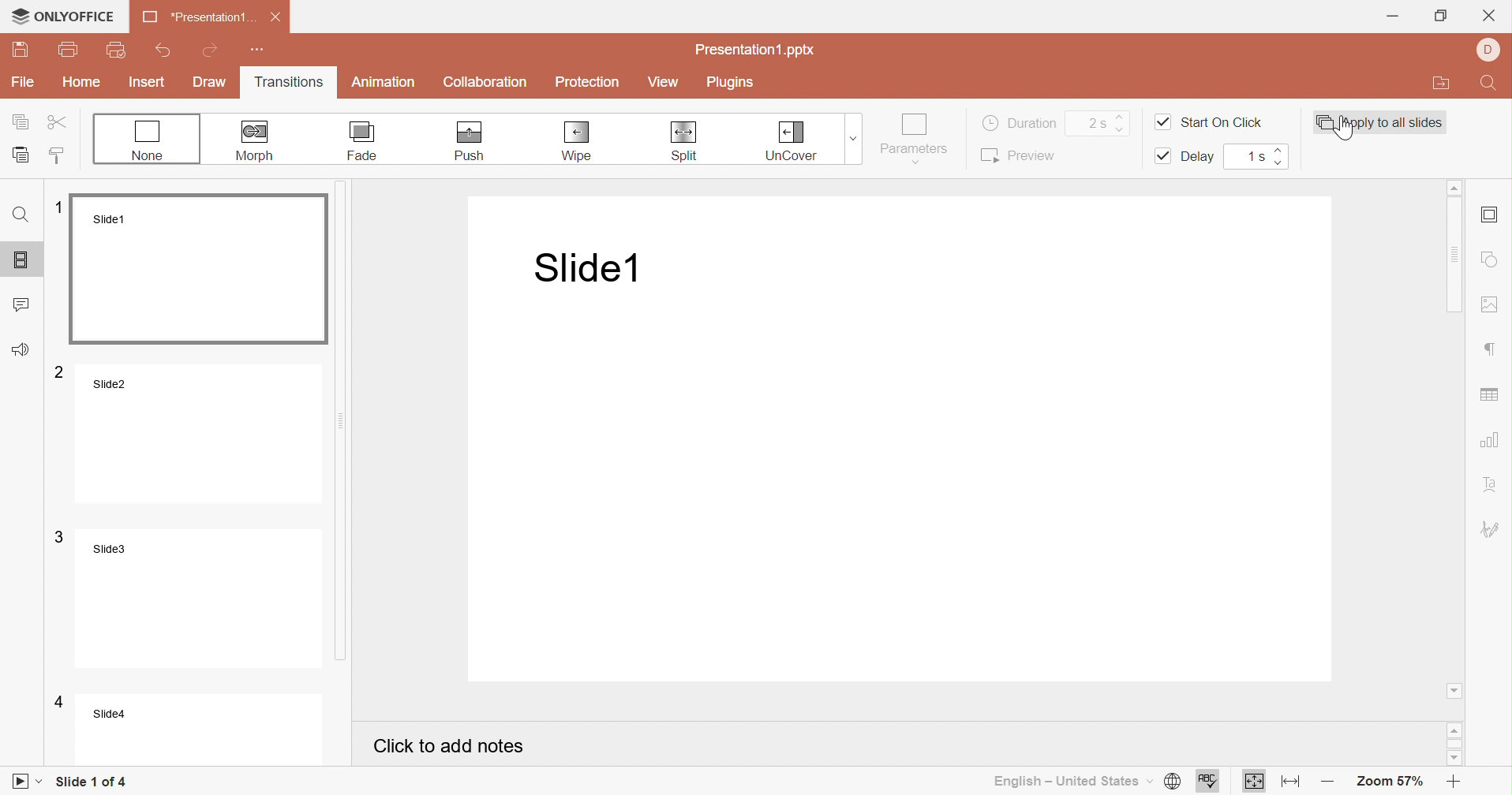 The height and width of the screenshot is (795, 1512). Describe the element at coordinates (1279, 149) in the screenshot. I see `Increase delay` at that location.